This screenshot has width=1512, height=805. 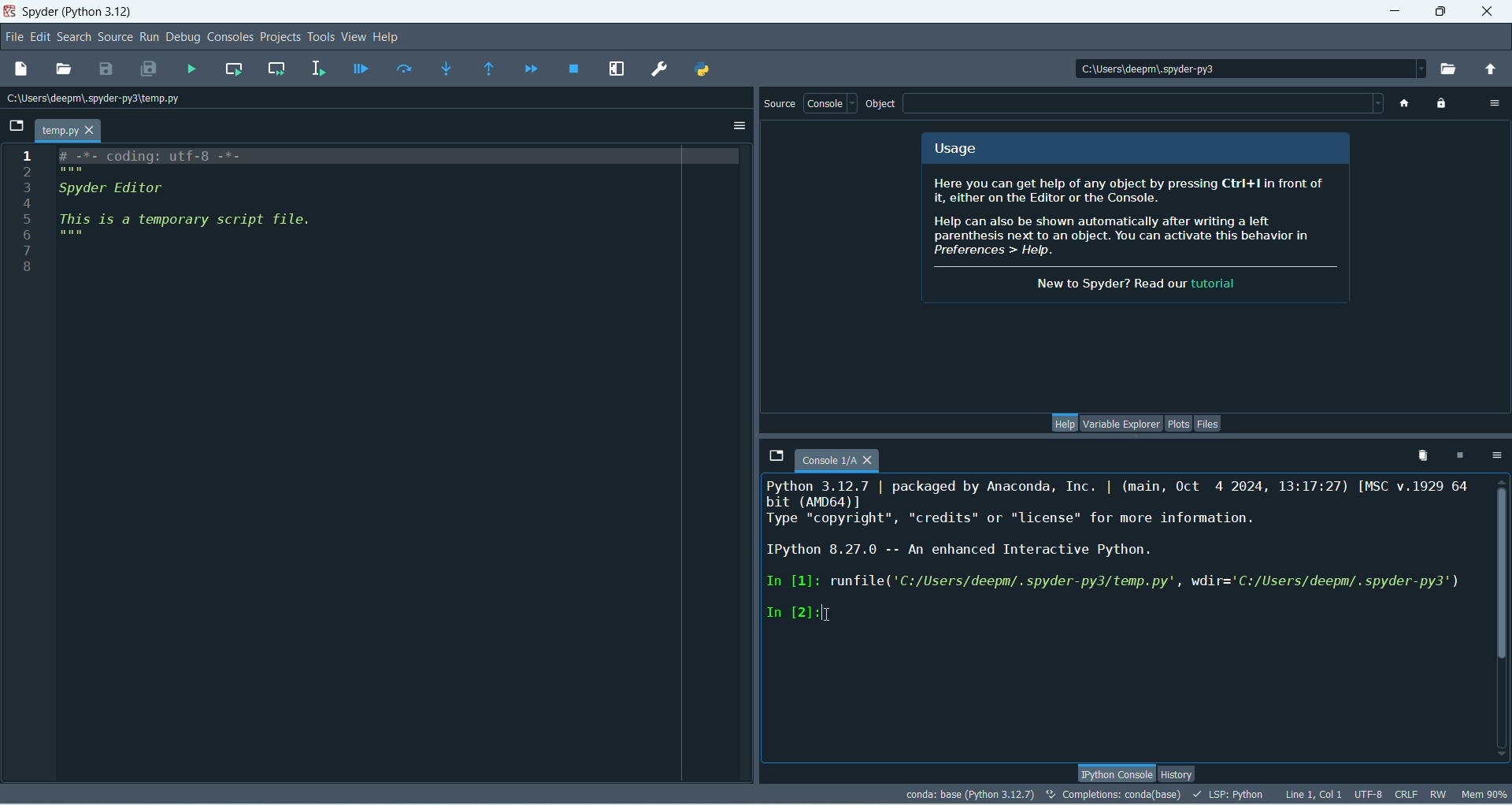 I want to click on options, so click(x=1496, y=454).